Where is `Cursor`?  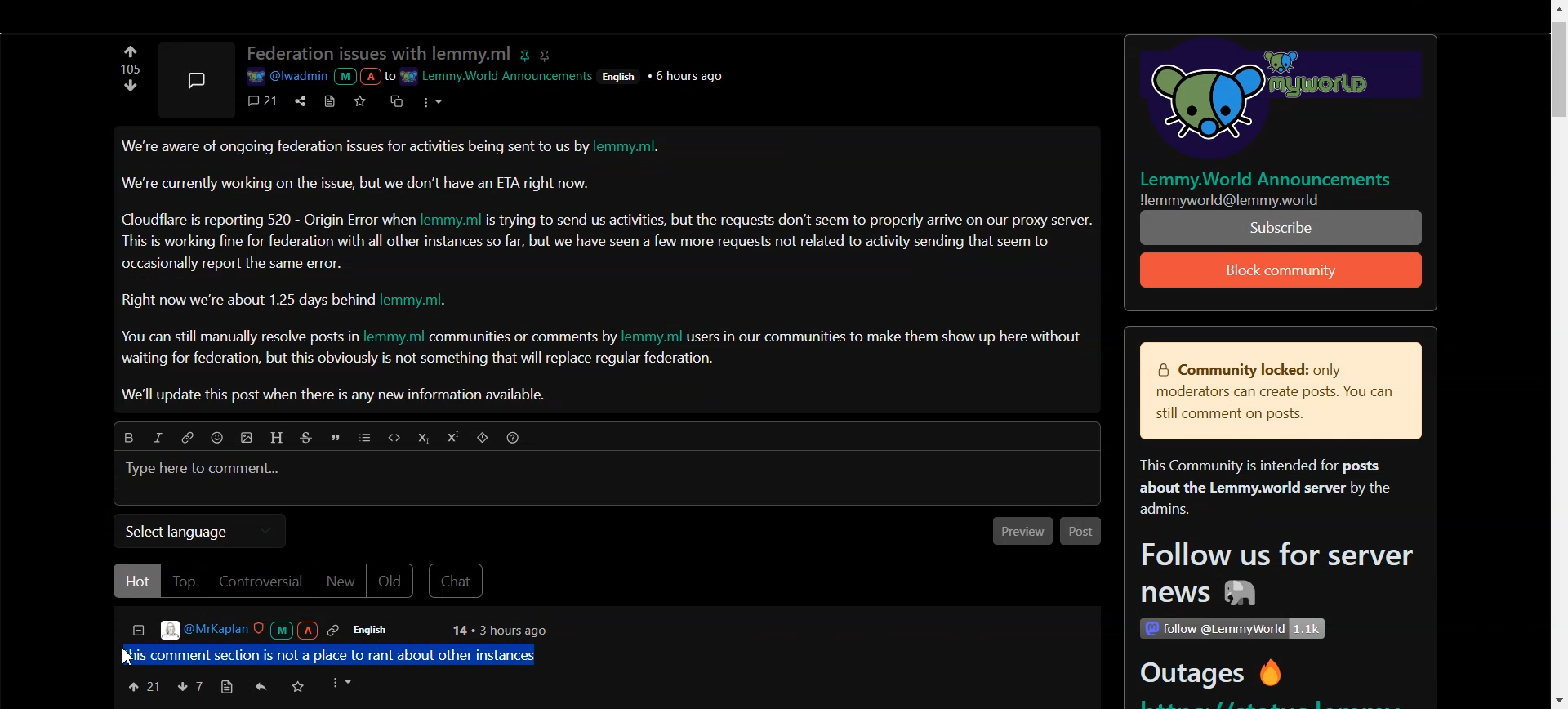
Cursor is located at coordinates (131, 657).